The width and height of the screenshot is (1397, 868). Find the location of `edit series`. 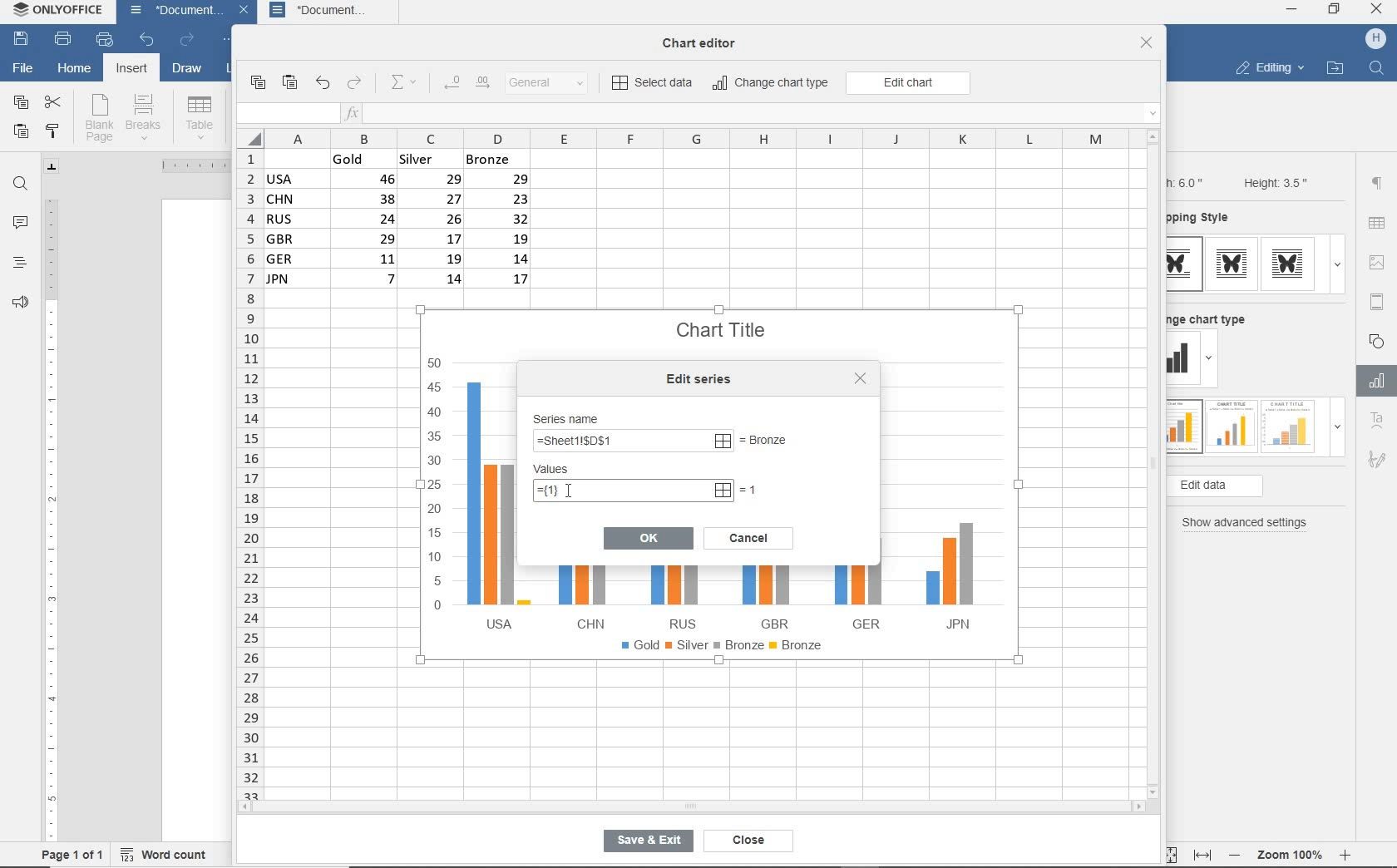

edit series is located at coordinates (703, 379).